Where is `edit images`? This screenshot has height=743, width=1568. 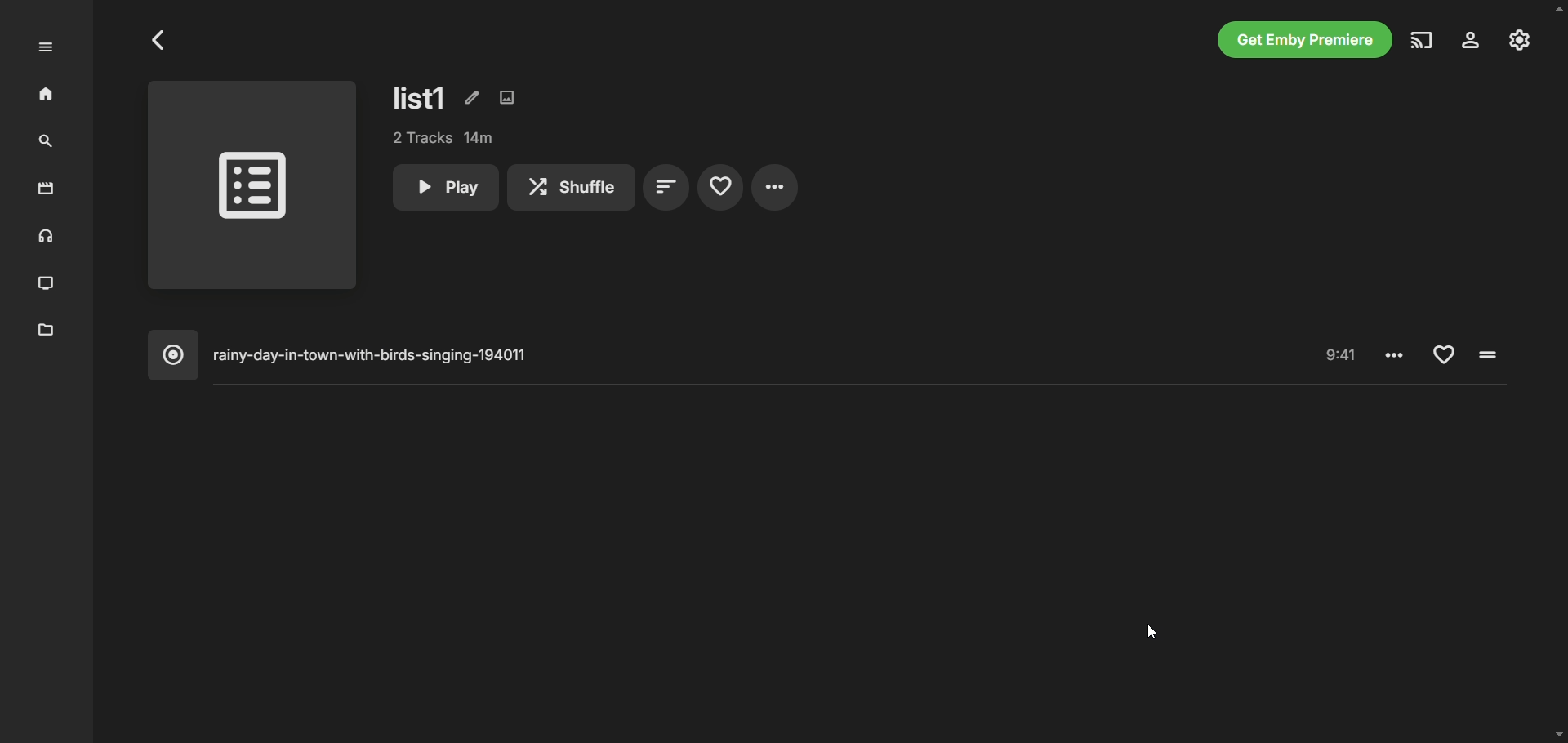
edit images is located at coordinates (507, 97).